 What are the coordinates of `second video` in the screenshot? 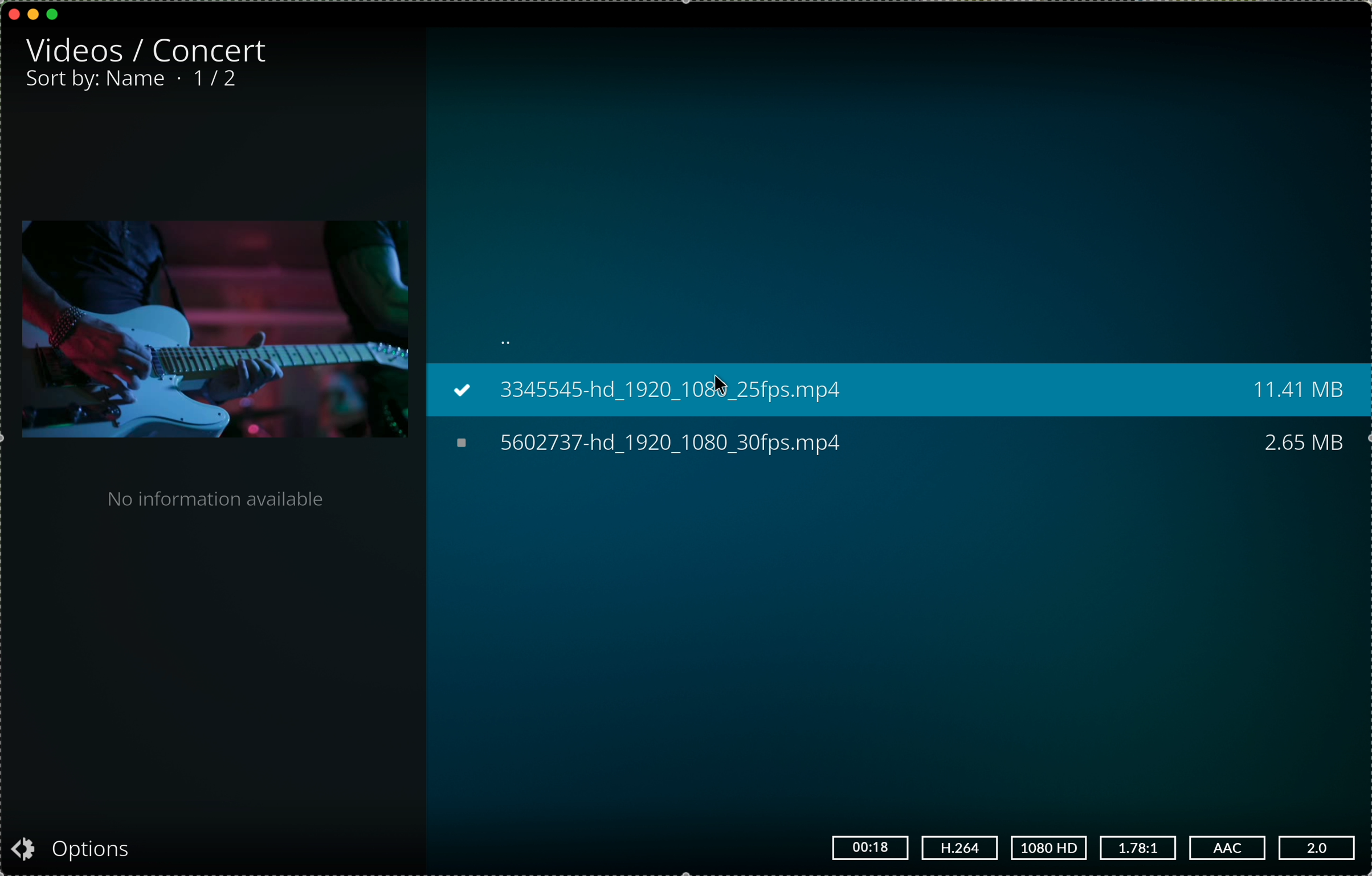 It's located at (900, 445).